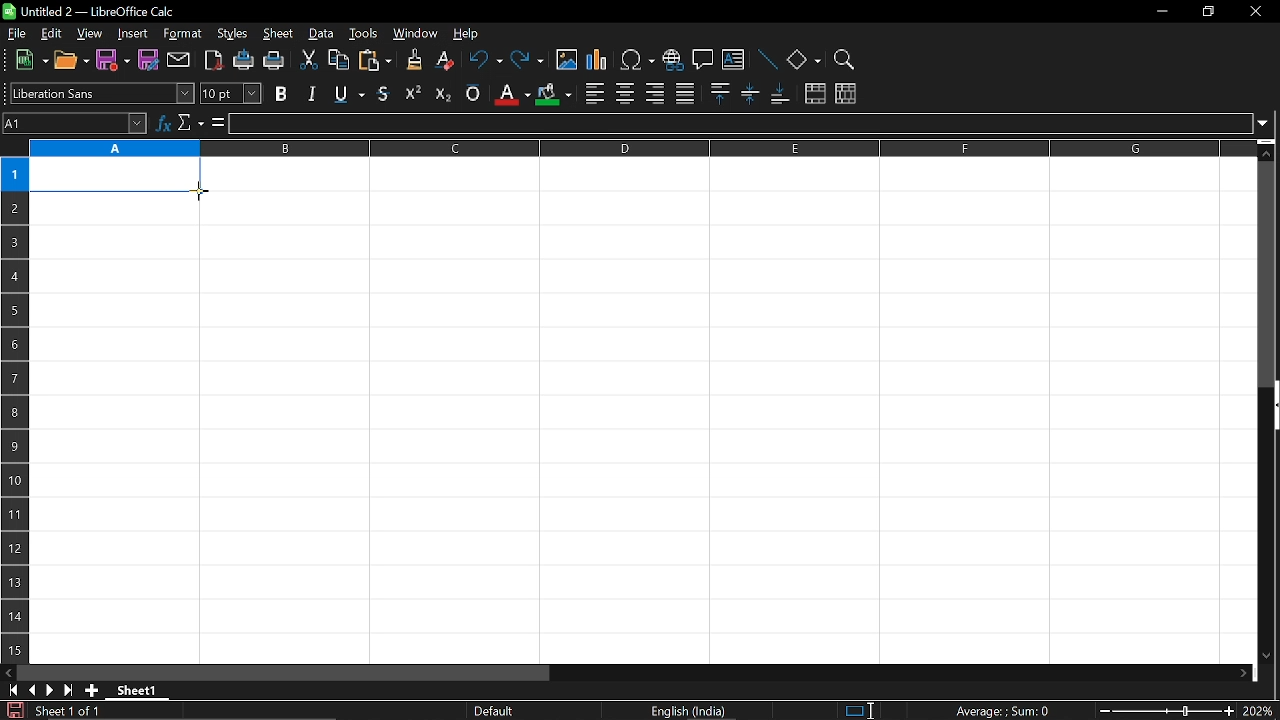  I want to click on sheet, so click(278, 34).